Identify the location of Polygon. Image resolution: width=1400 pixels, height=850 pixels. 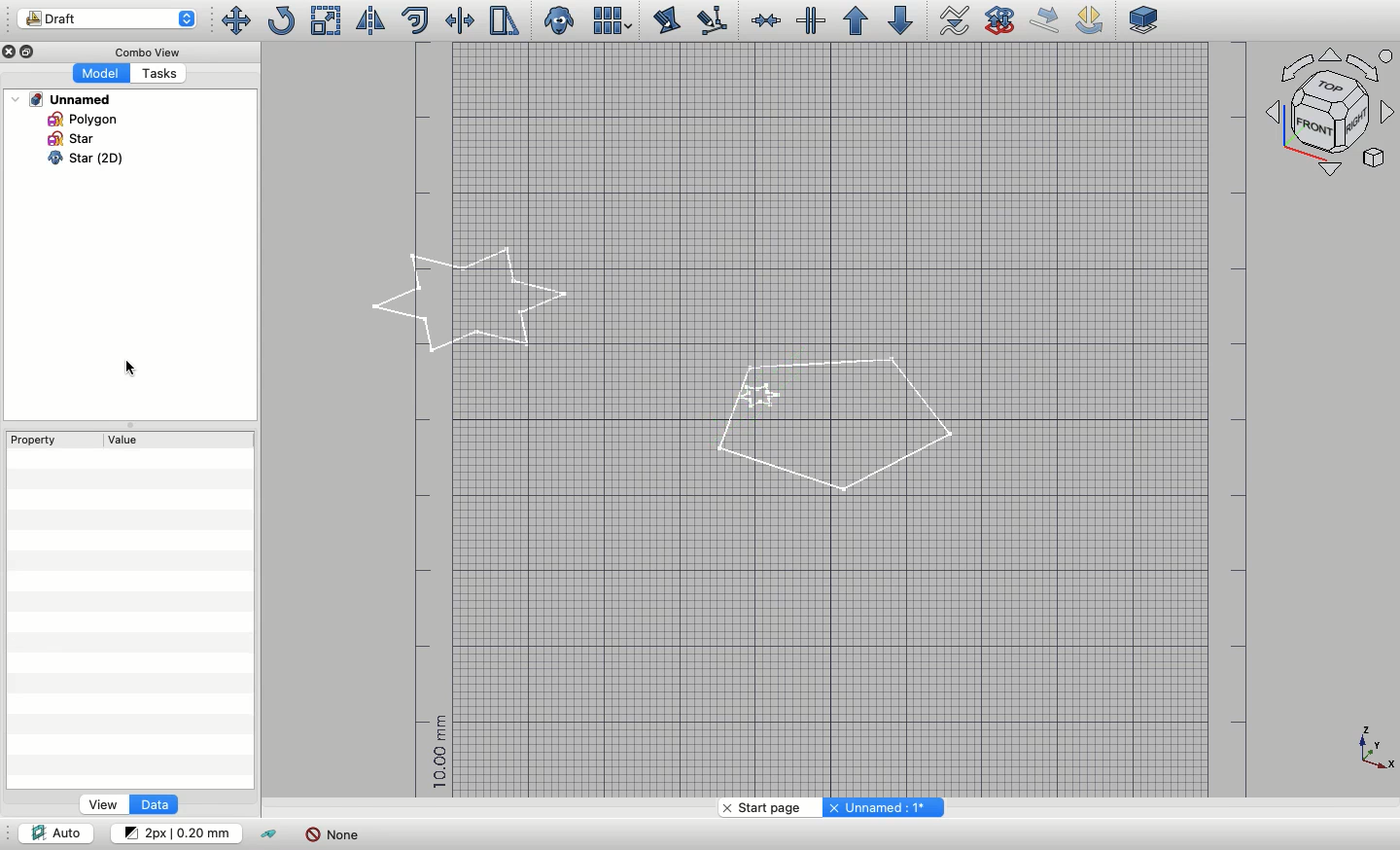
(79, 119).